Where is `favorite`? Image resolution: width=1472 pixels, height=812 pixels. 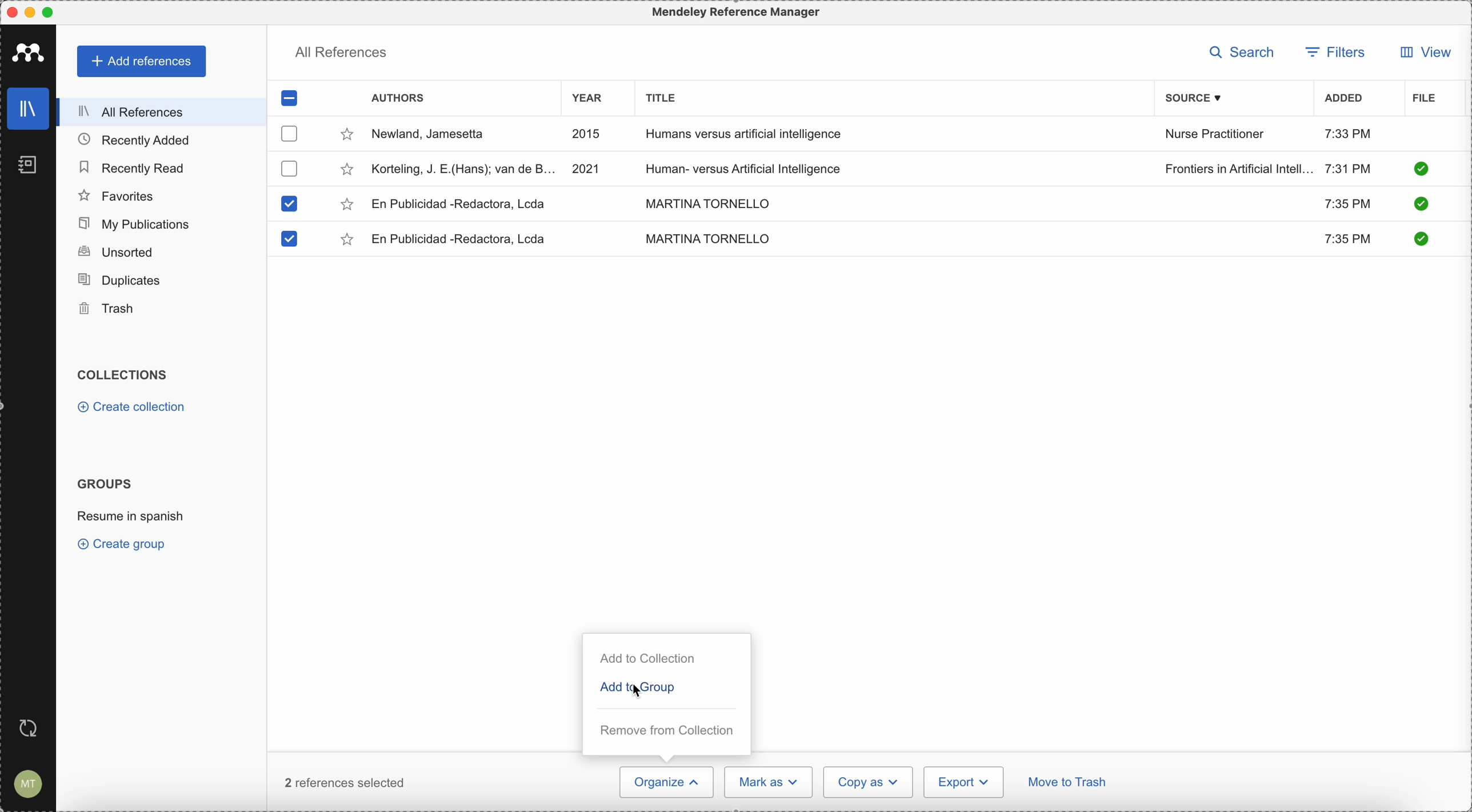
favorite is located at coordinates (346, 205).